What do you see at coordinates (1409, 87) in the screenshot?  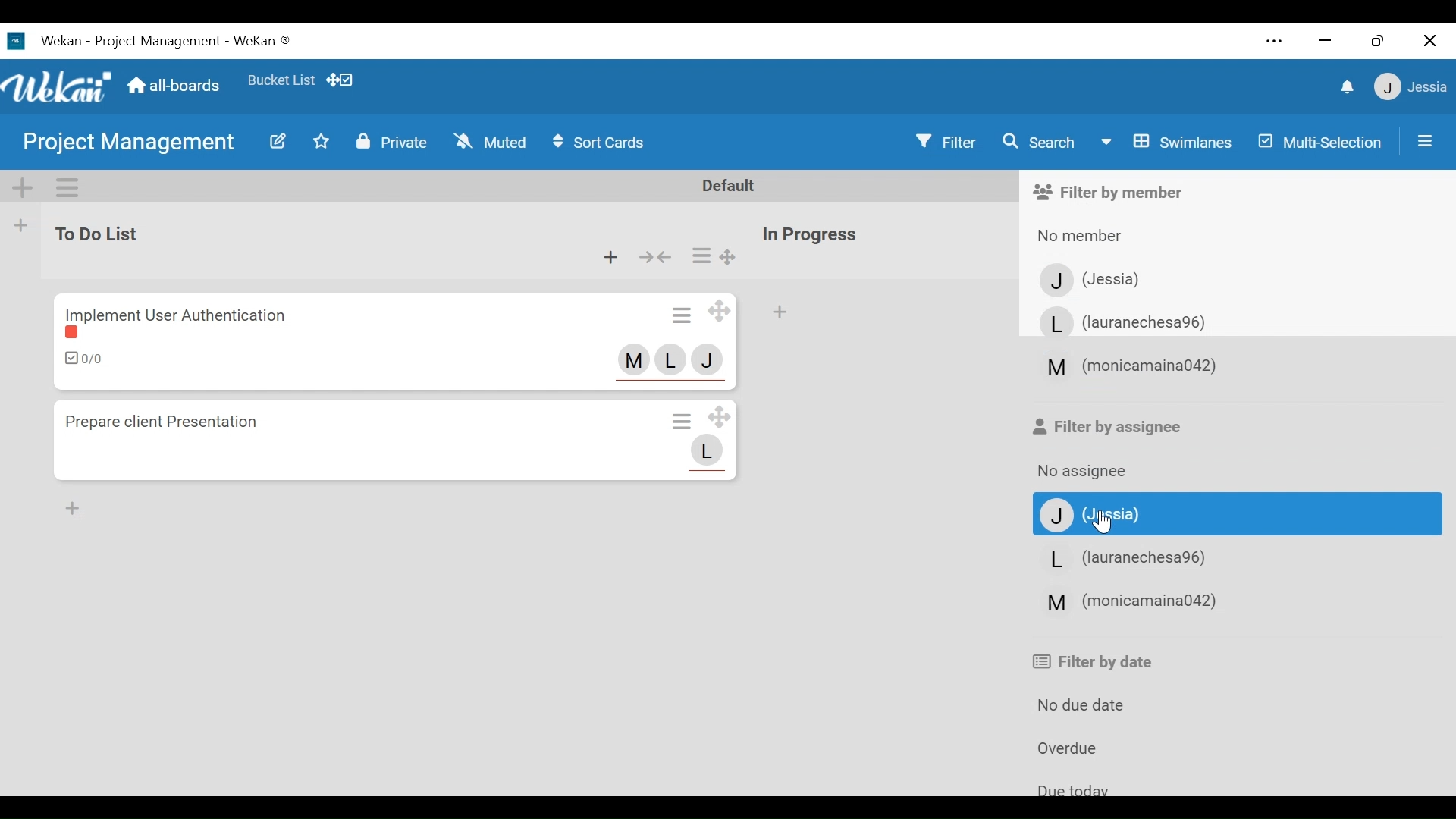 I see `jessia` at bounding box center [1409, 87].